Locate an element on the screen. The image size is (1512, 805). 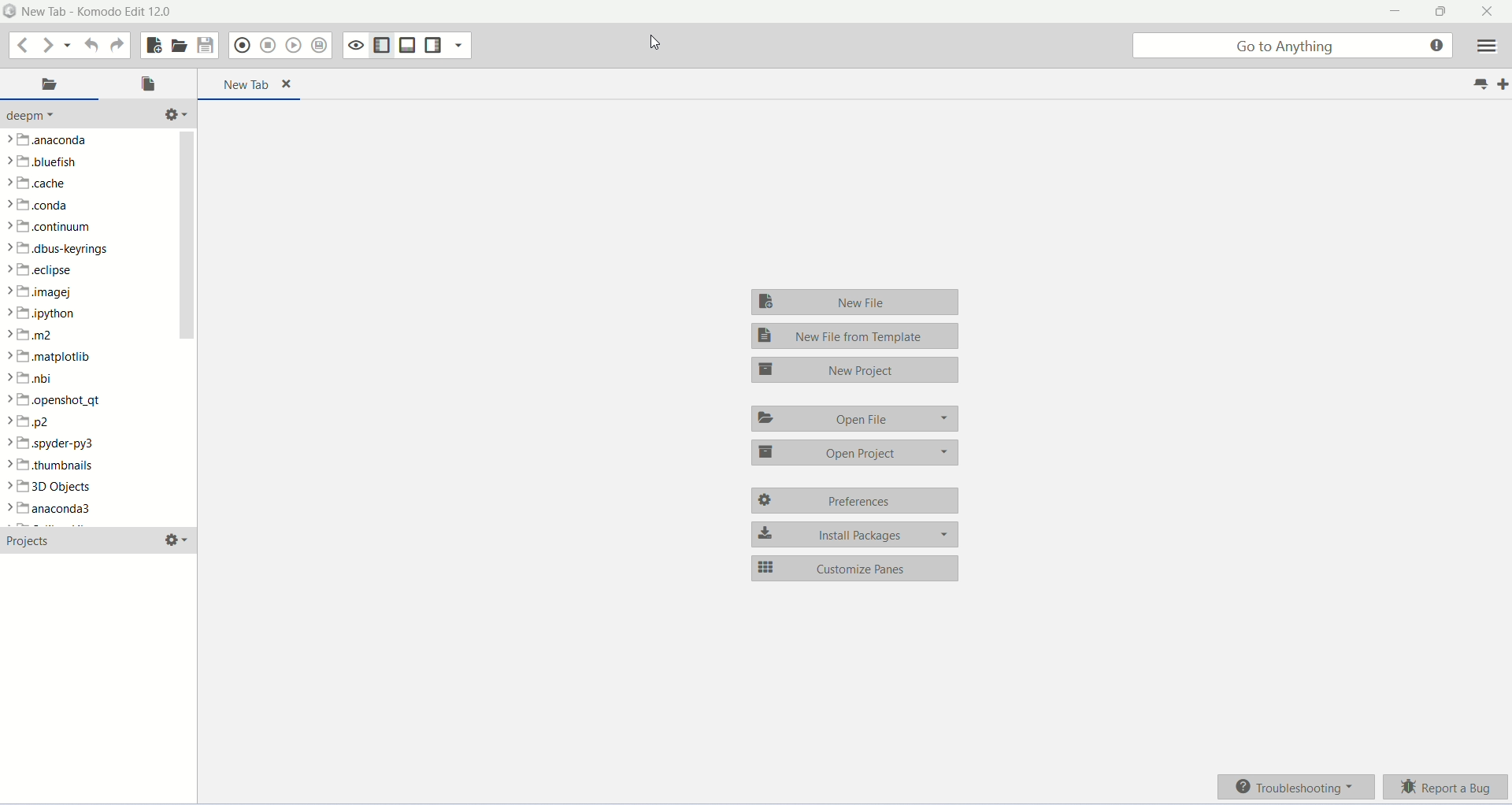
new project is located at coordinates (854, 372).